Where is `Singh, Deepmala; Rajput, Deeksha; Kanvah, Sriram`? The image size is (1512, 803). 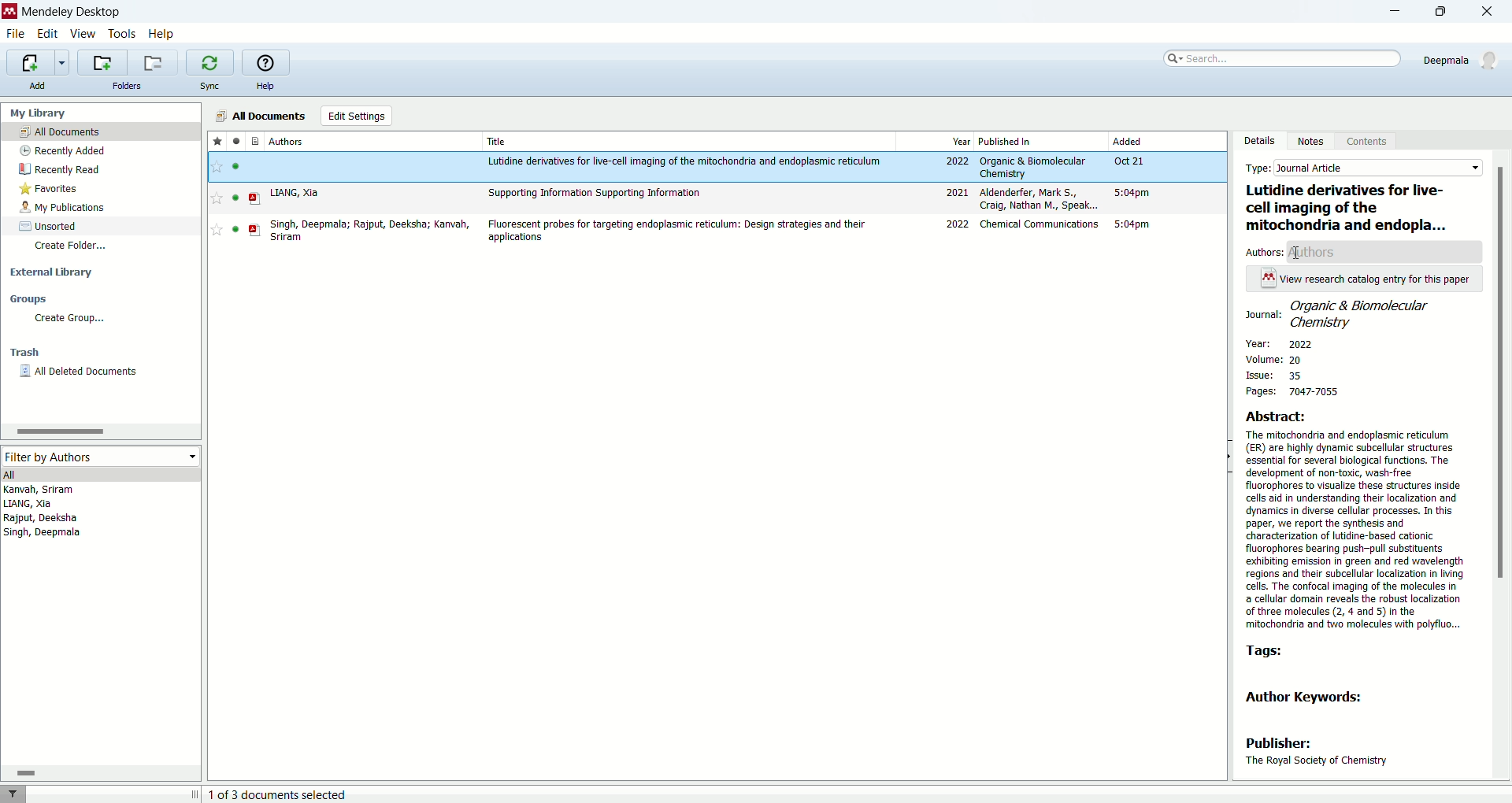 Singh, Deepmala; Rajput, Deeksha; Kanvah, Sriram is located at coordinates (374, 230).